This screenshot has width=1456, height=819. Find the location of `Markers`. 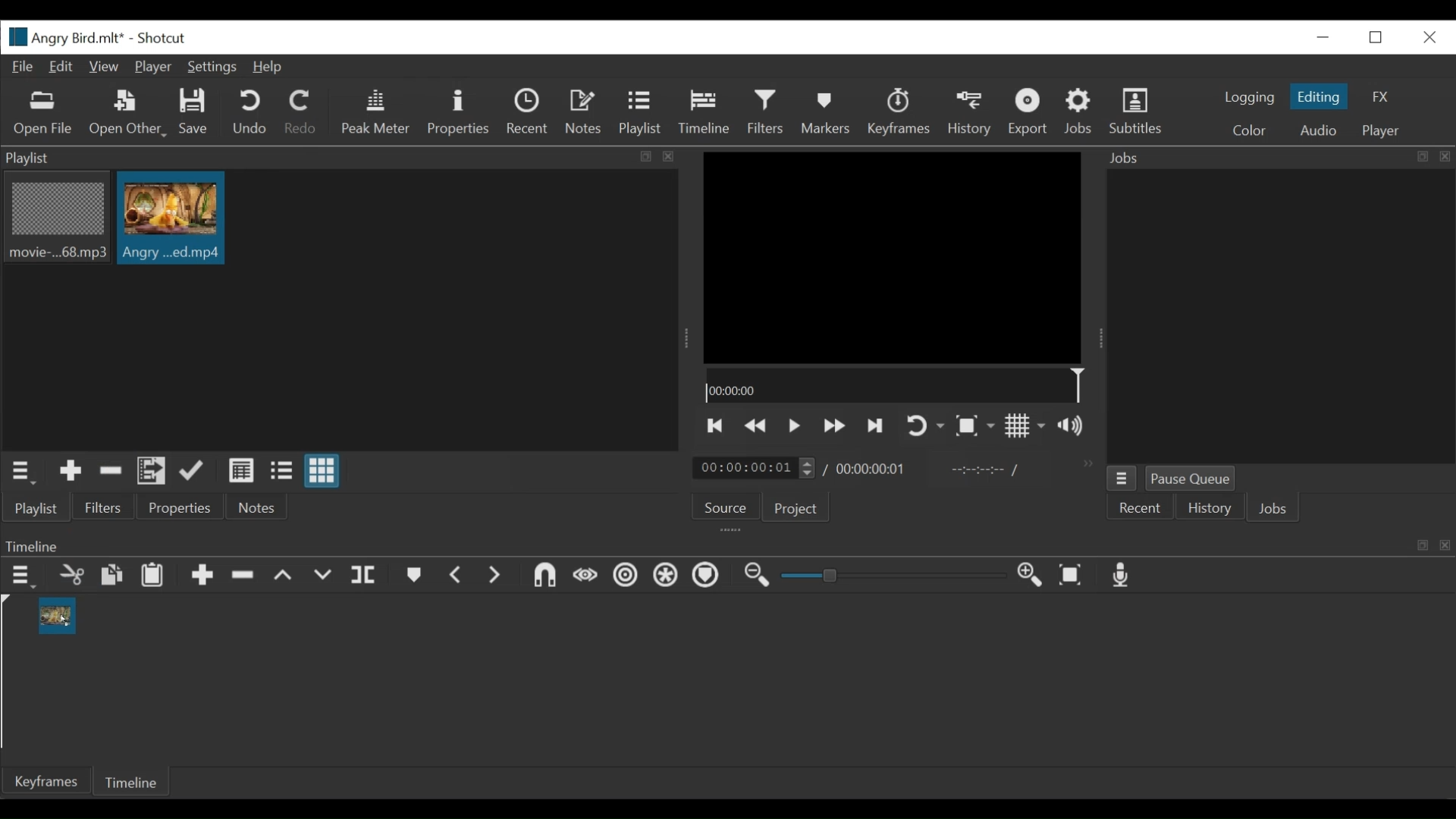

Markers is located at coordinates (415, 576).